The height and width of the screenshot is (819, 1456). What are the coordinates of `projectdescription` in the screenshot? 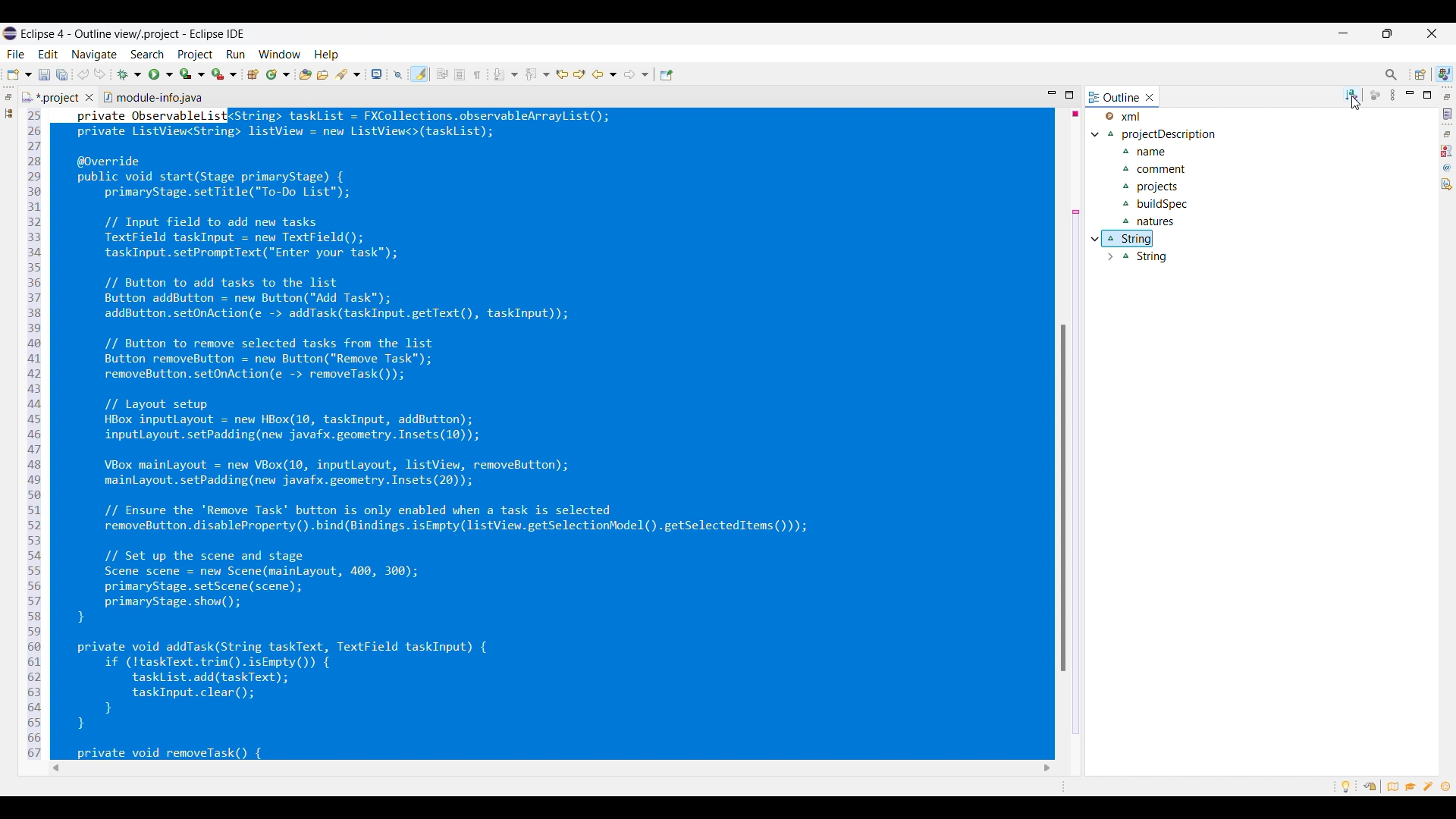 It's located at (1172, 154).